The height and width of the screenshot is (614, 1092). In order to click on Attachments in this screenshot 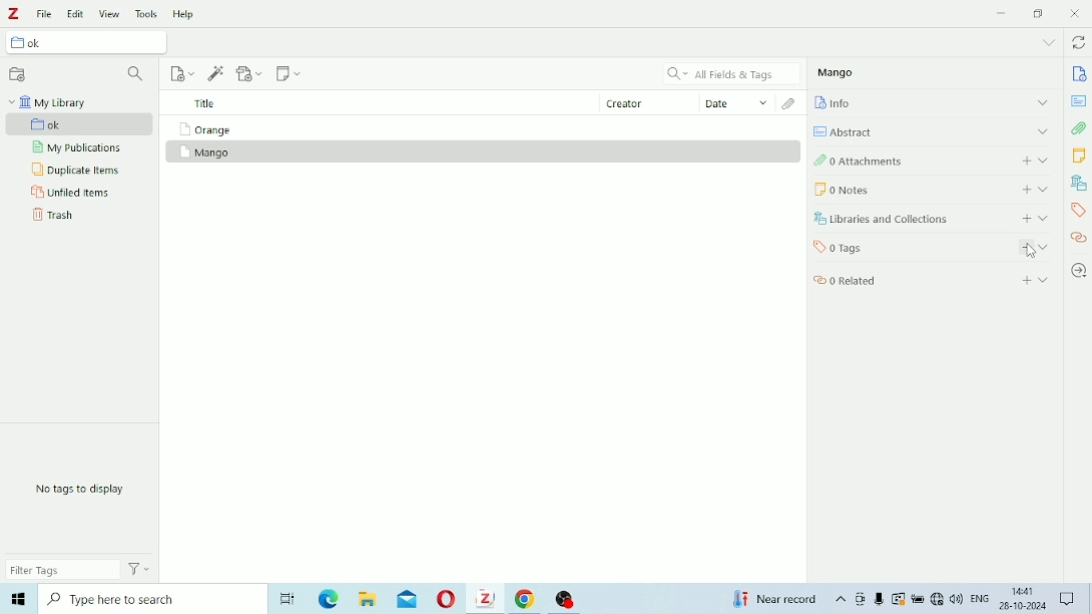, I will do `click(932, 159)`.